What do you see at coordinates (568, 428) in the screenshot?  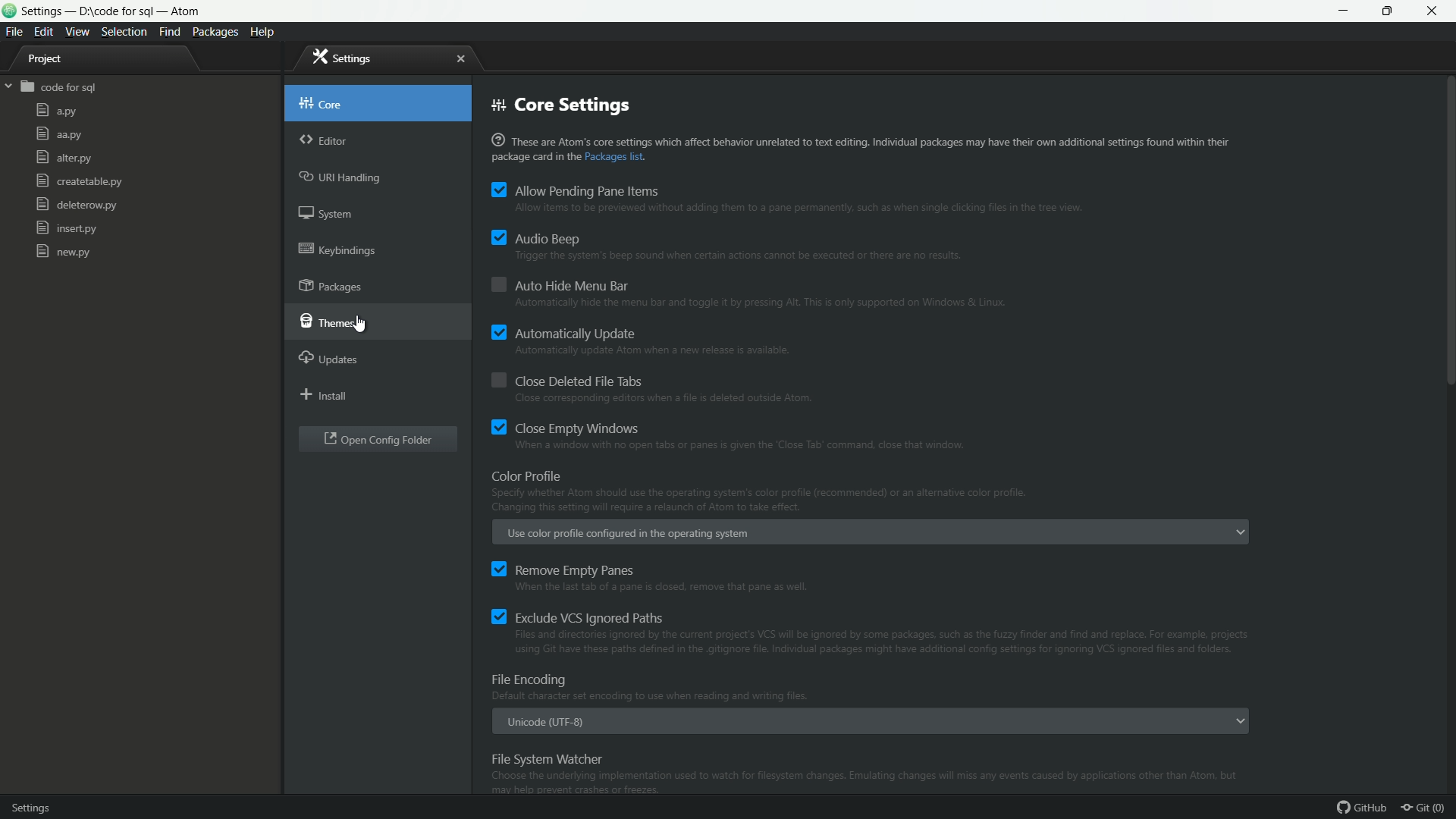 I see `close empty windows` at bounding box center [568, 428].